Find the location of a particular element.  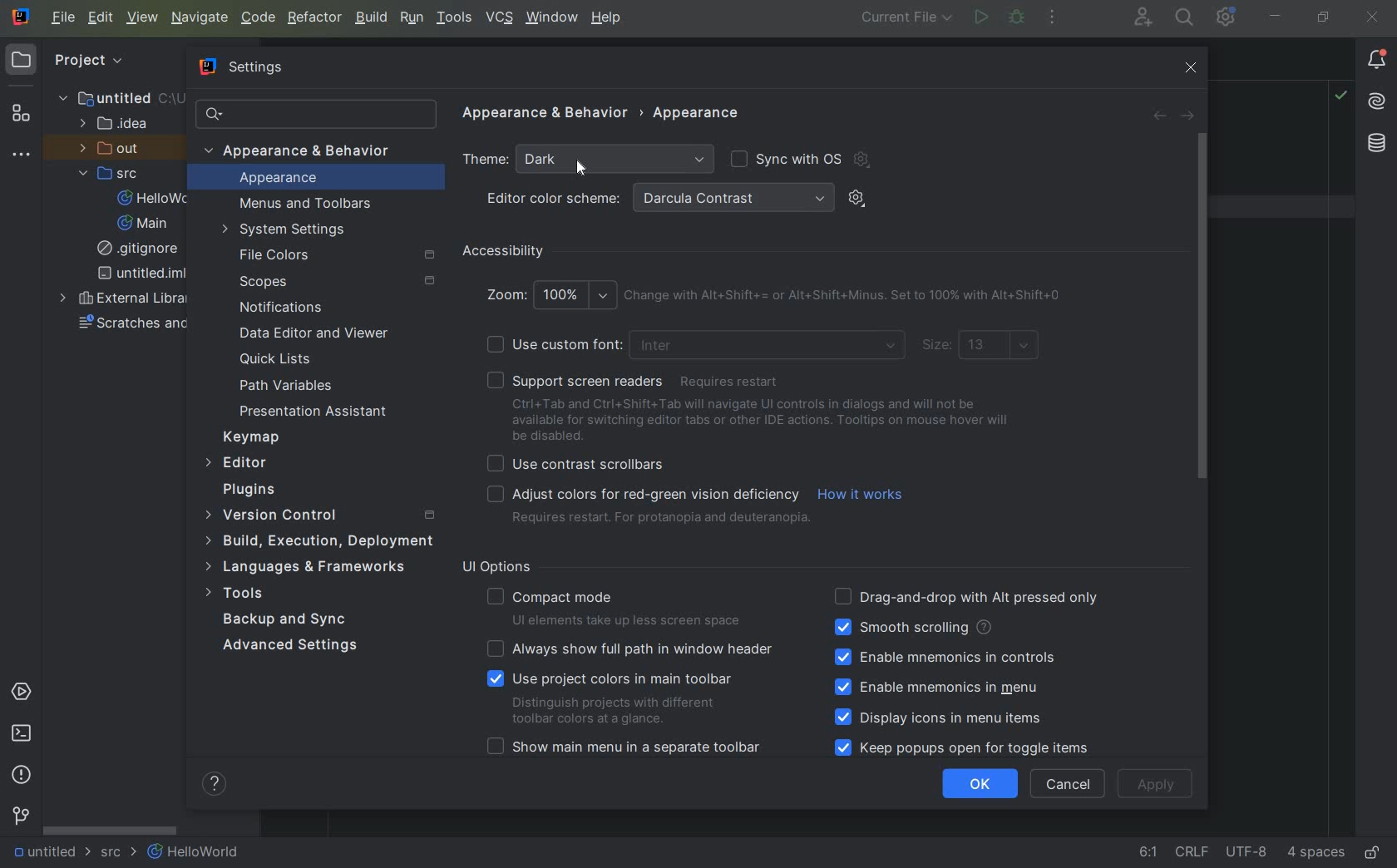

.GITIGNORE is located at coordinates (141, 250).